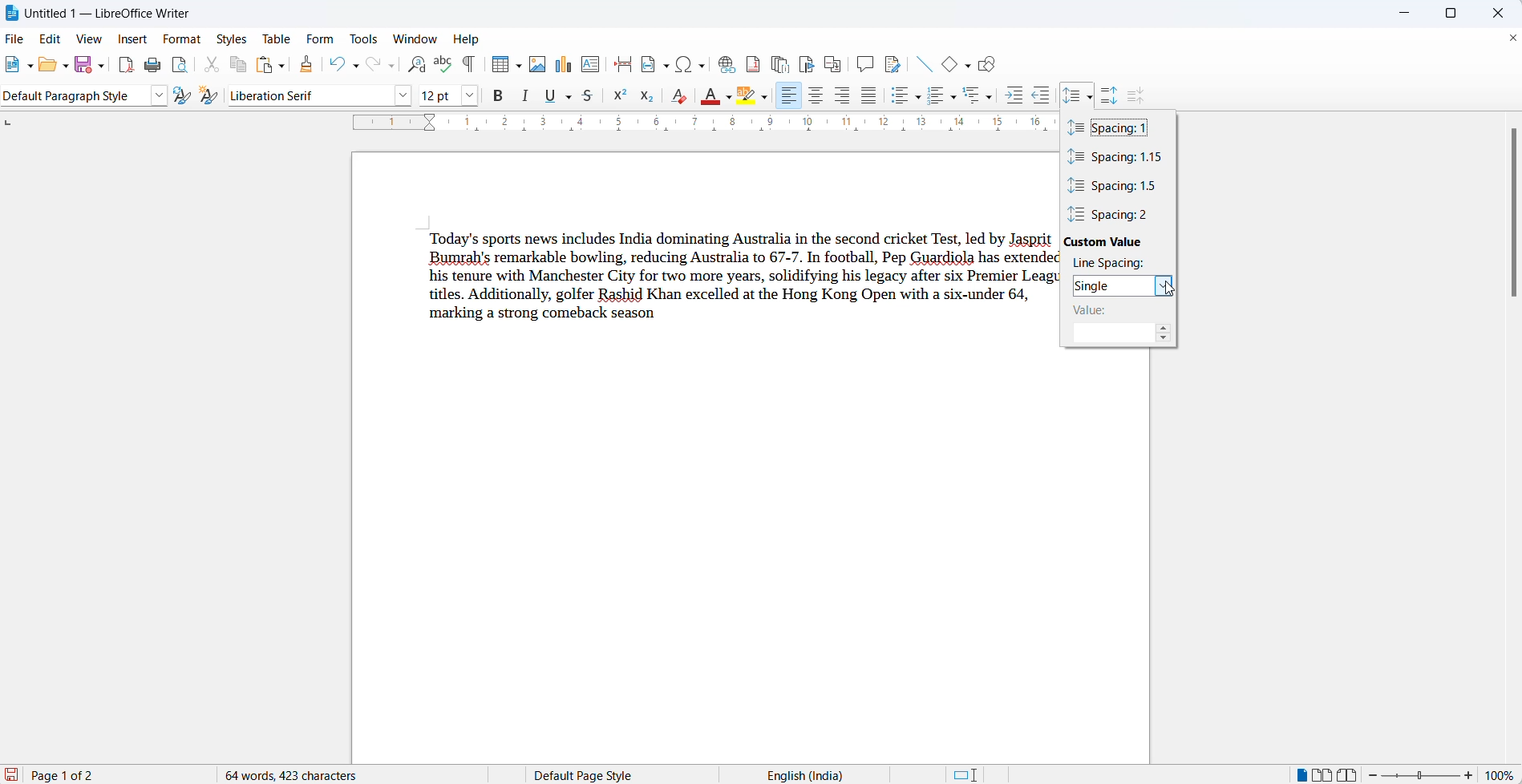  I want to click on format, so click(184, 37).